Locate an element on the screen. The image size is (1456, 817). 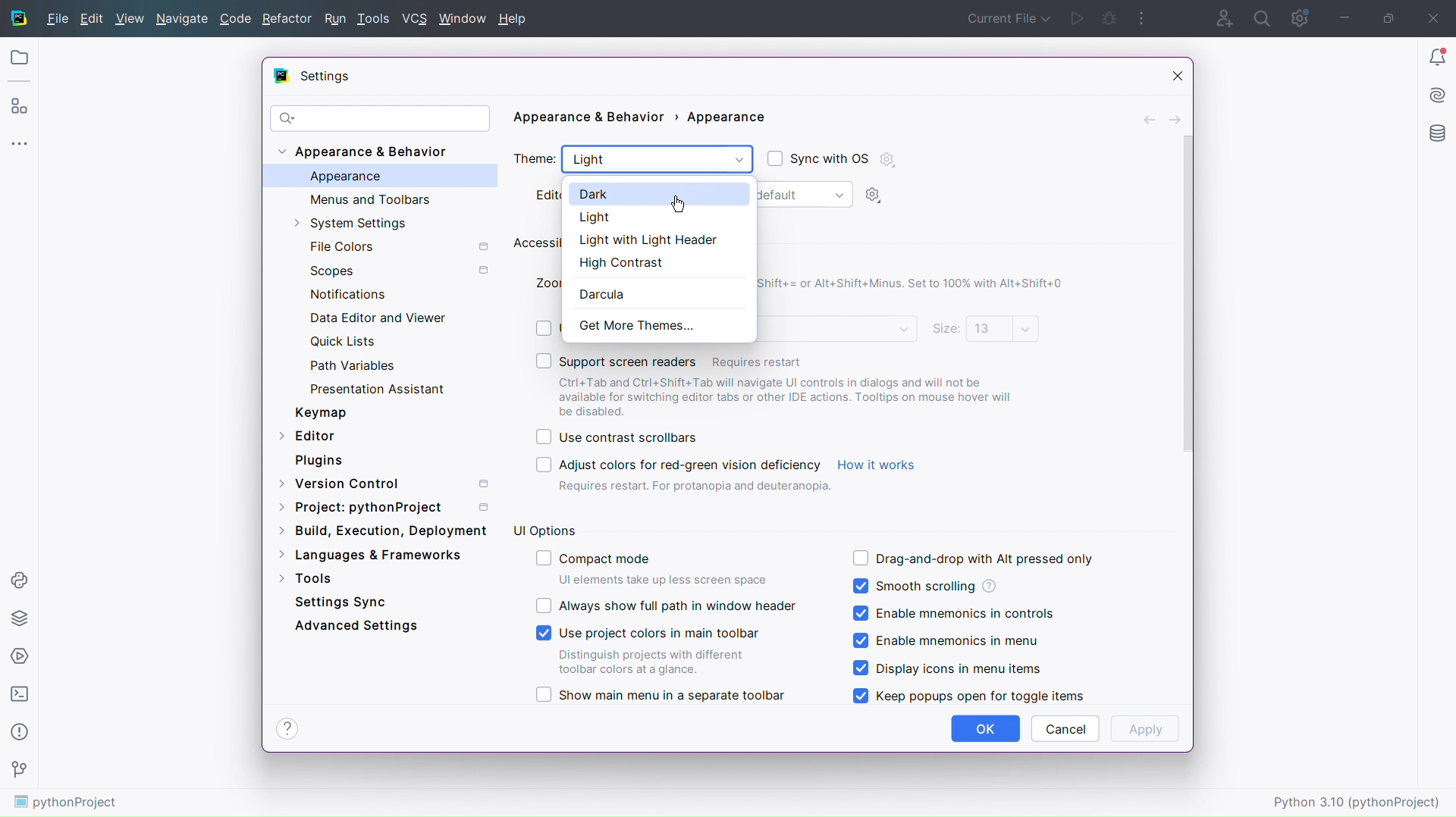
VCS is located at coordinates (417, 19).